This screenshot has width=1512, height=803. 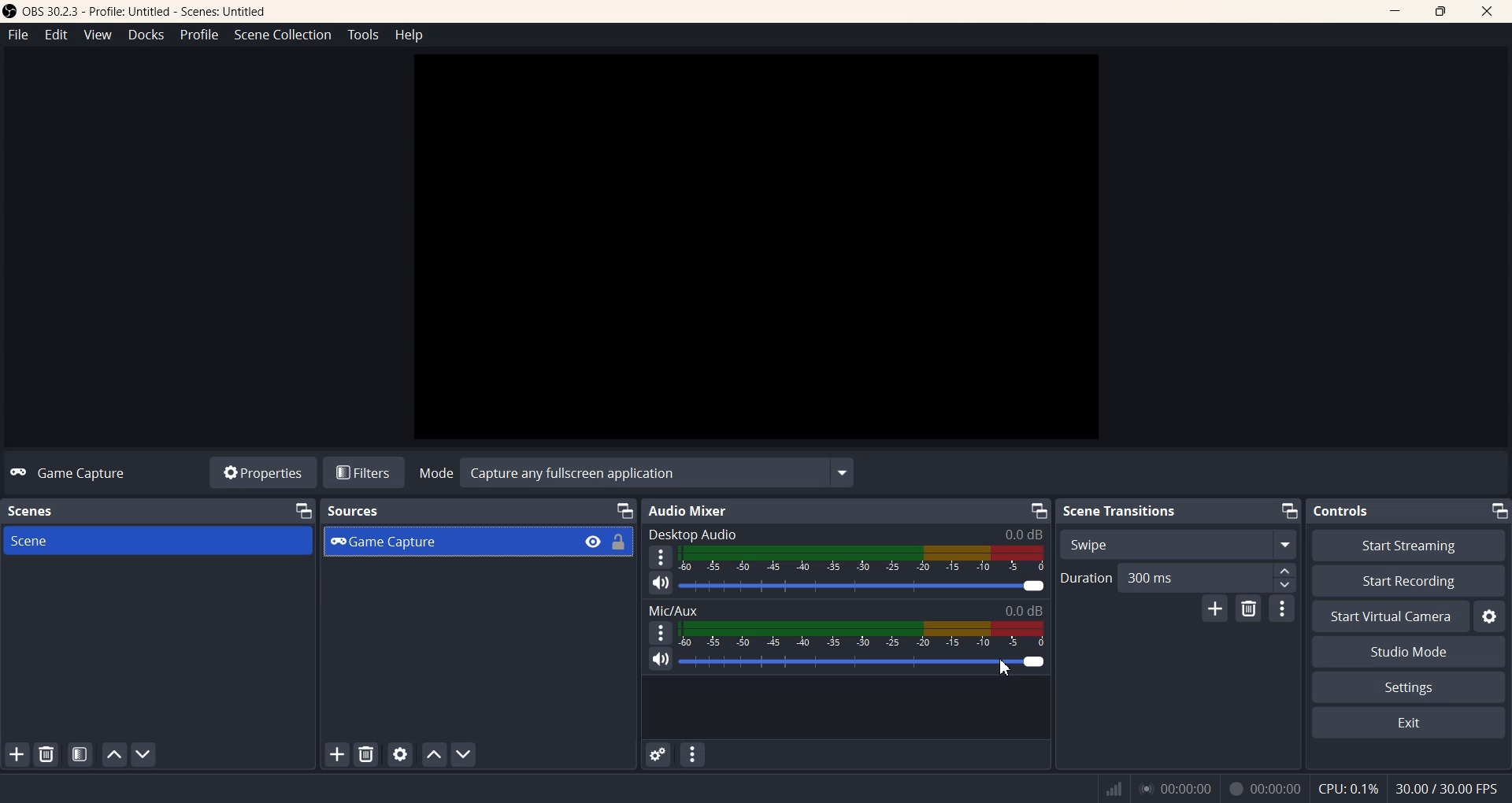 I want to click on Docks, so click(x=144, y=35).